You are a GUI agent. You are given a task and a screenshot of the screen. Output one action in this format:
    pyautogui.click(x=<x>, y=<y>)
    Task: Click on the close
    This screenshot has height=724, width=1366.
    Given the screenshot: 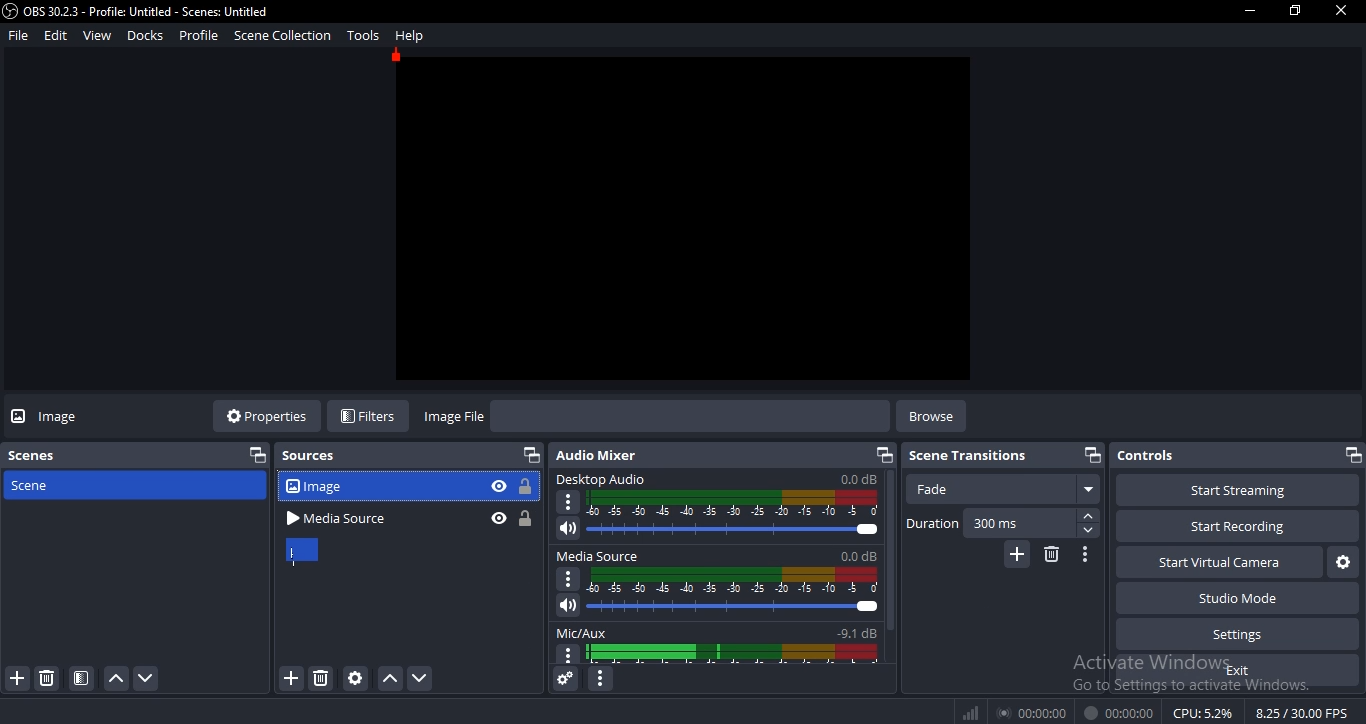 What is the action you would take?
    pyautogui.click(x=1342, y=12)
    